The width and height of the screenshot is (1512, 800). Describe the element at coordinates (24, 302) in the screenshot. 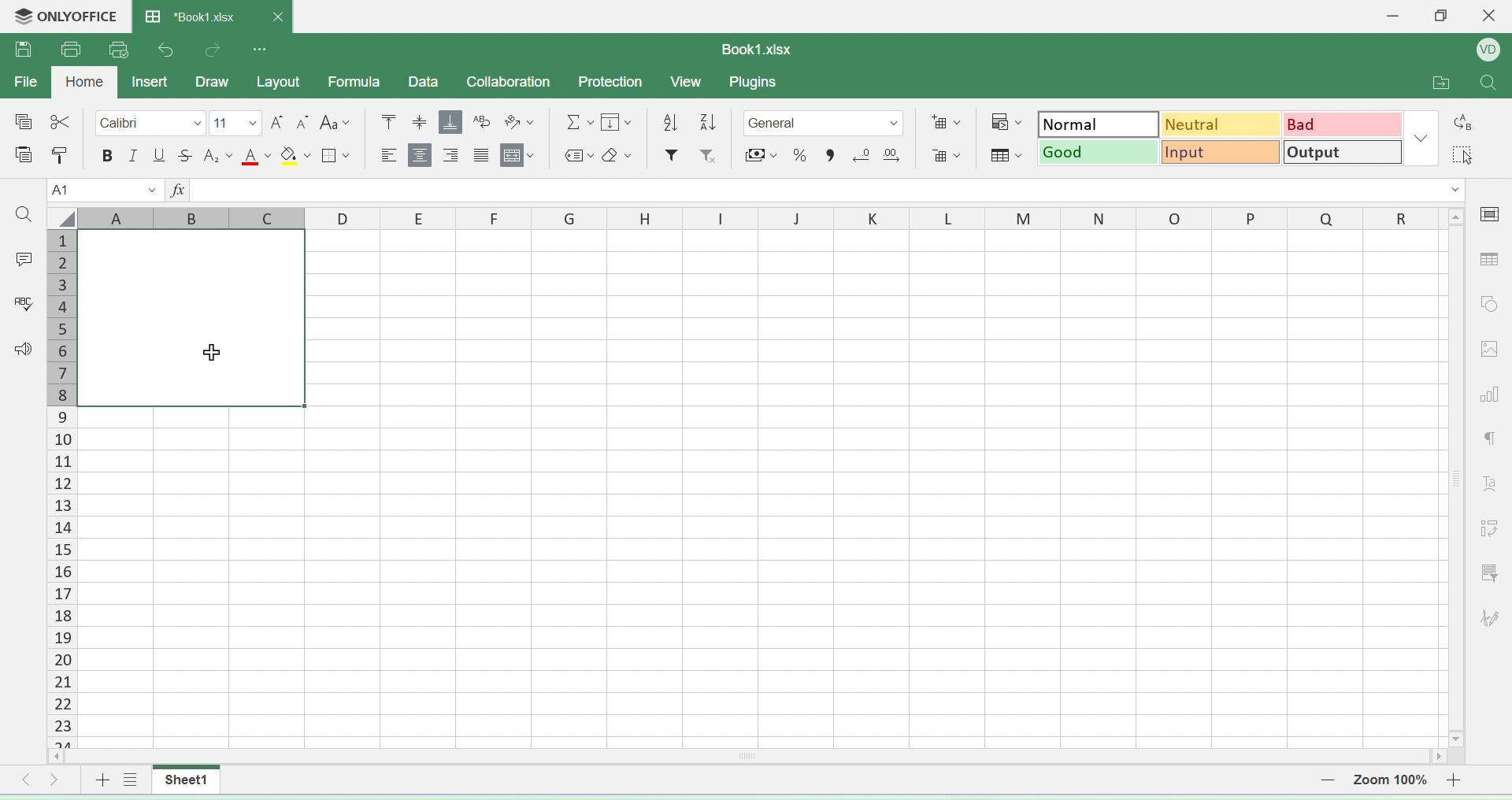

I see `spell check` at that location.